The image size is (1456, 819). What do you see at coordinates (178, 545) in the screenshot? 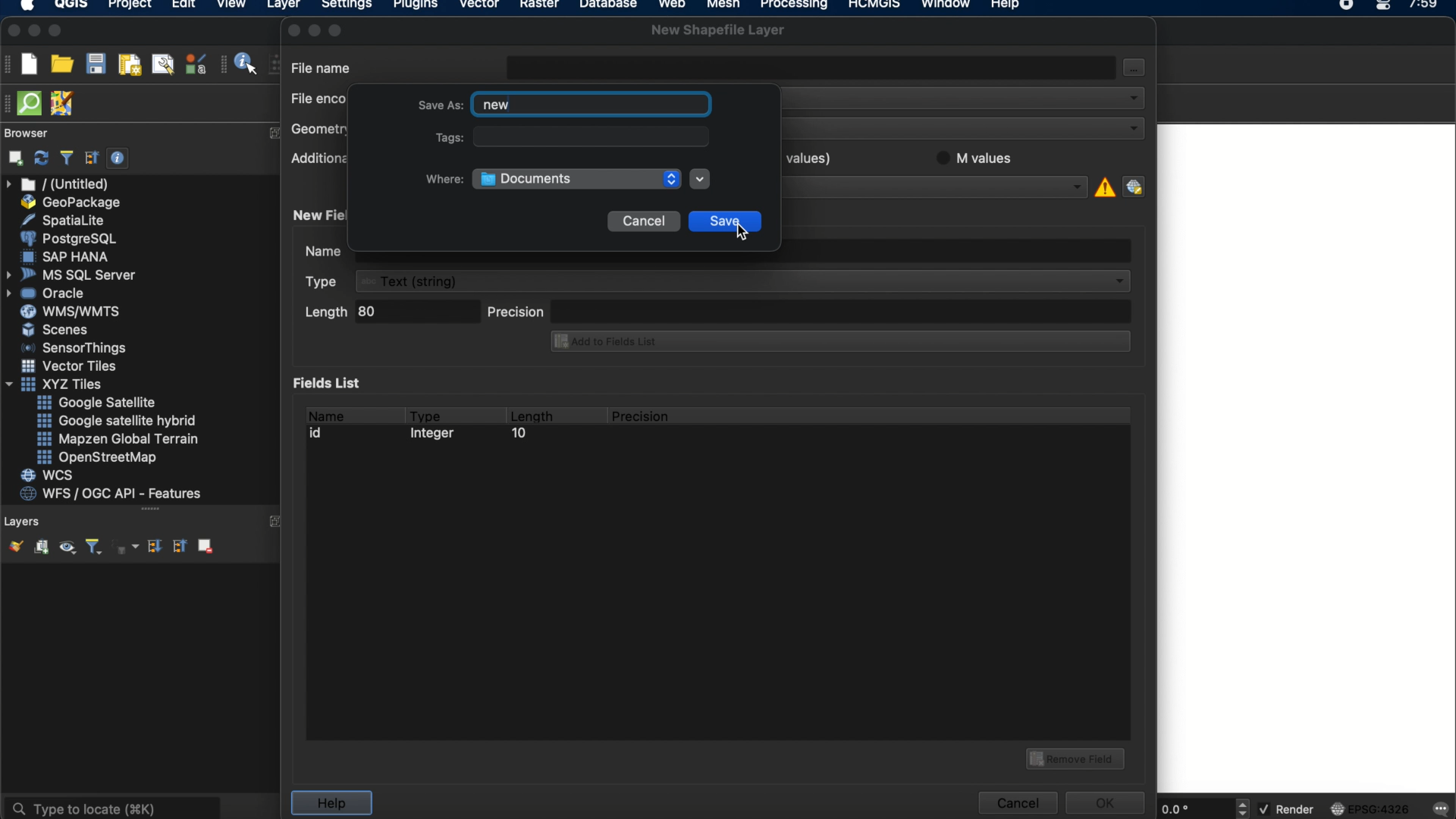
I see `collapse all` at bounding box center [178, 545].